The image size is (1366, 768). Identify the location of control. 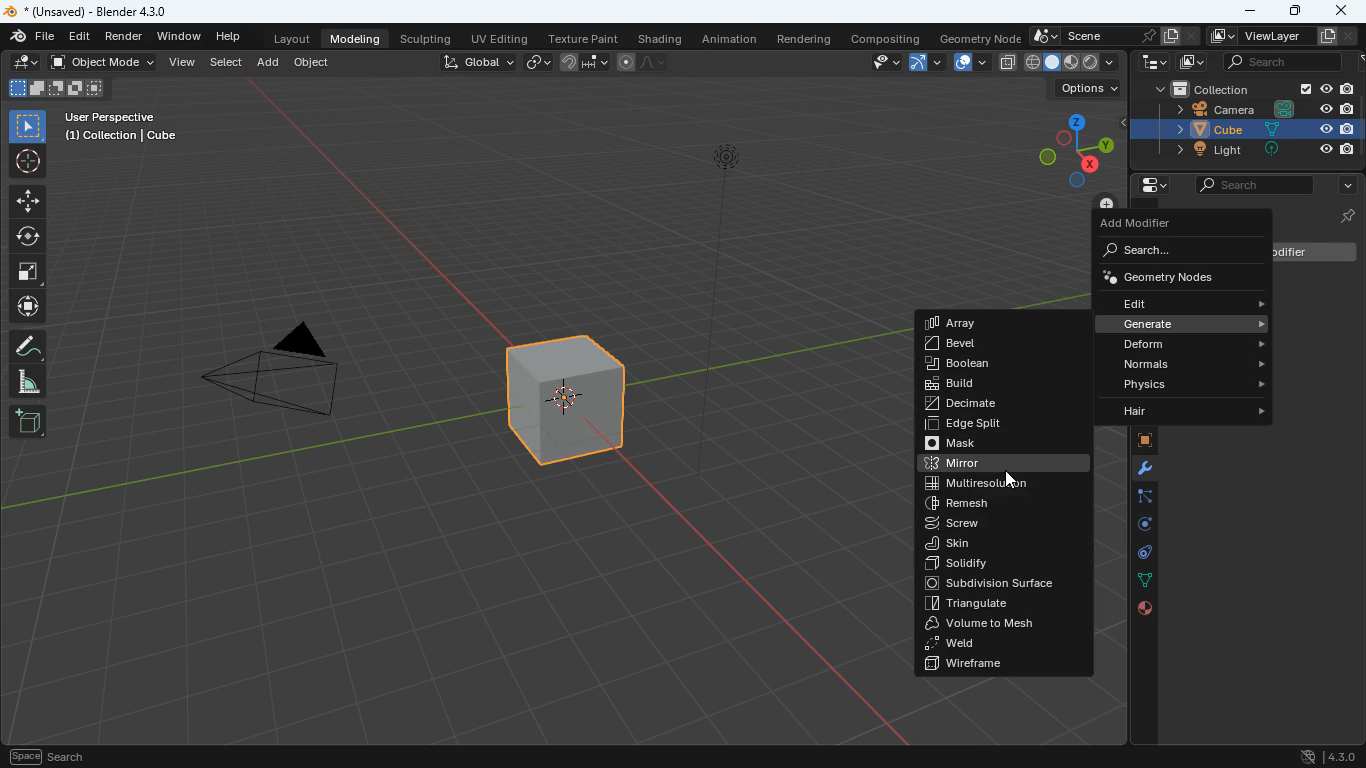
(1135, 554).